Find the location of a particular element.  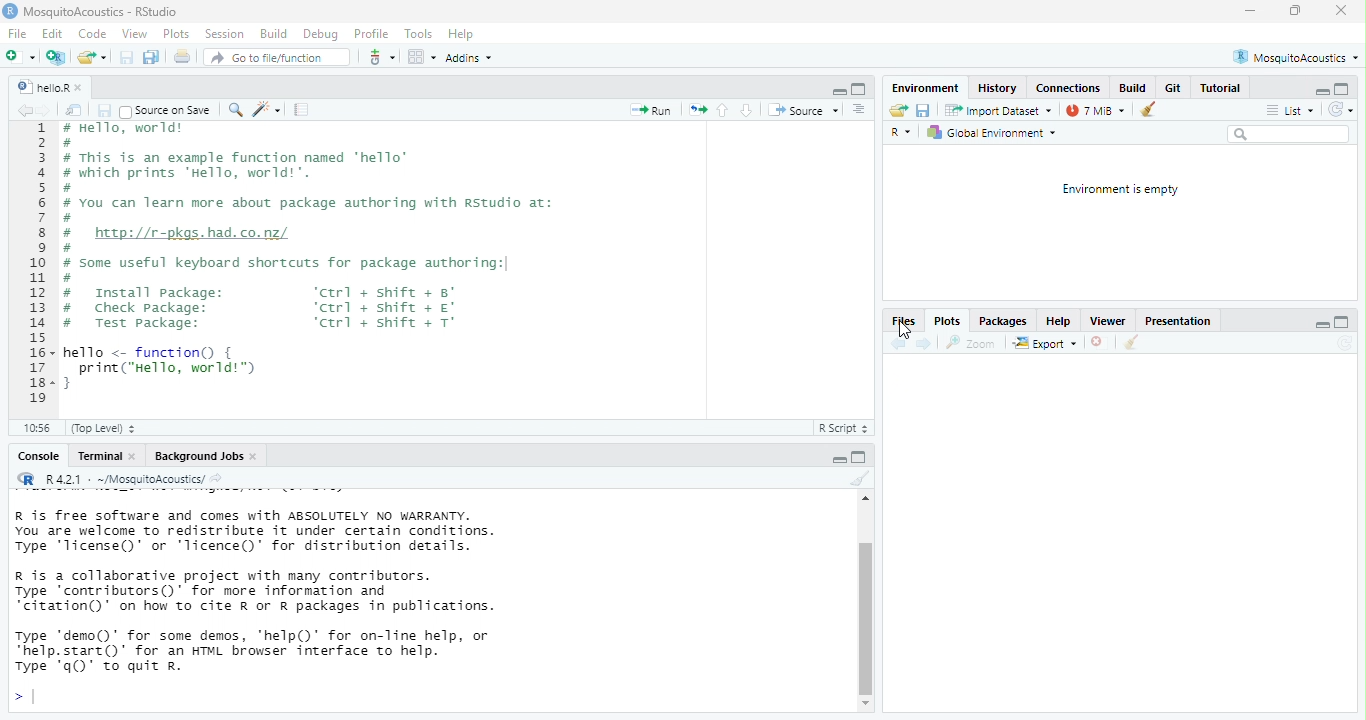

Addins ~ is located at coordinates (473, 58).